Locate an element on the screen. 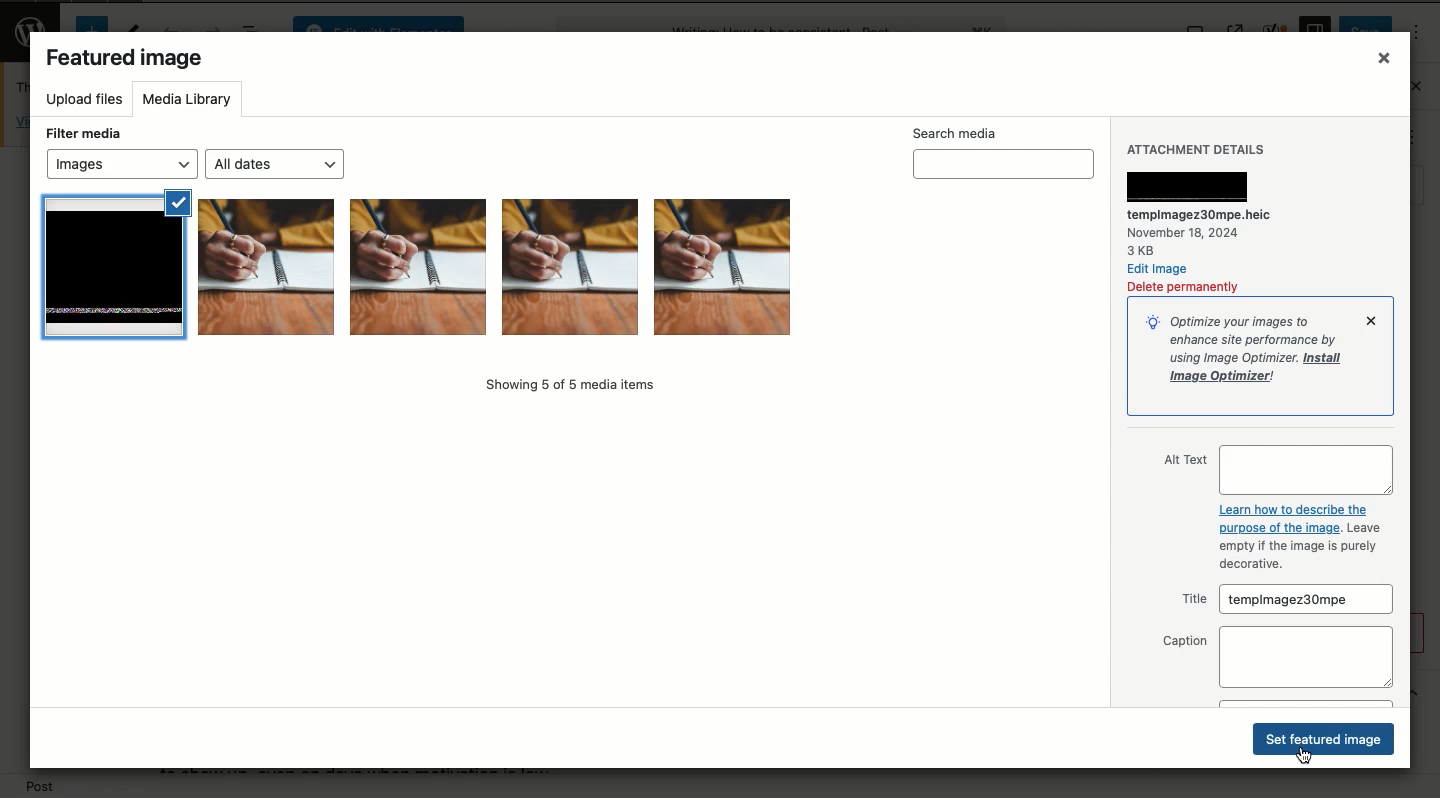 The height and width of the screenshot is (798, 1440). Cursor is located at coordinates (1305, 755).